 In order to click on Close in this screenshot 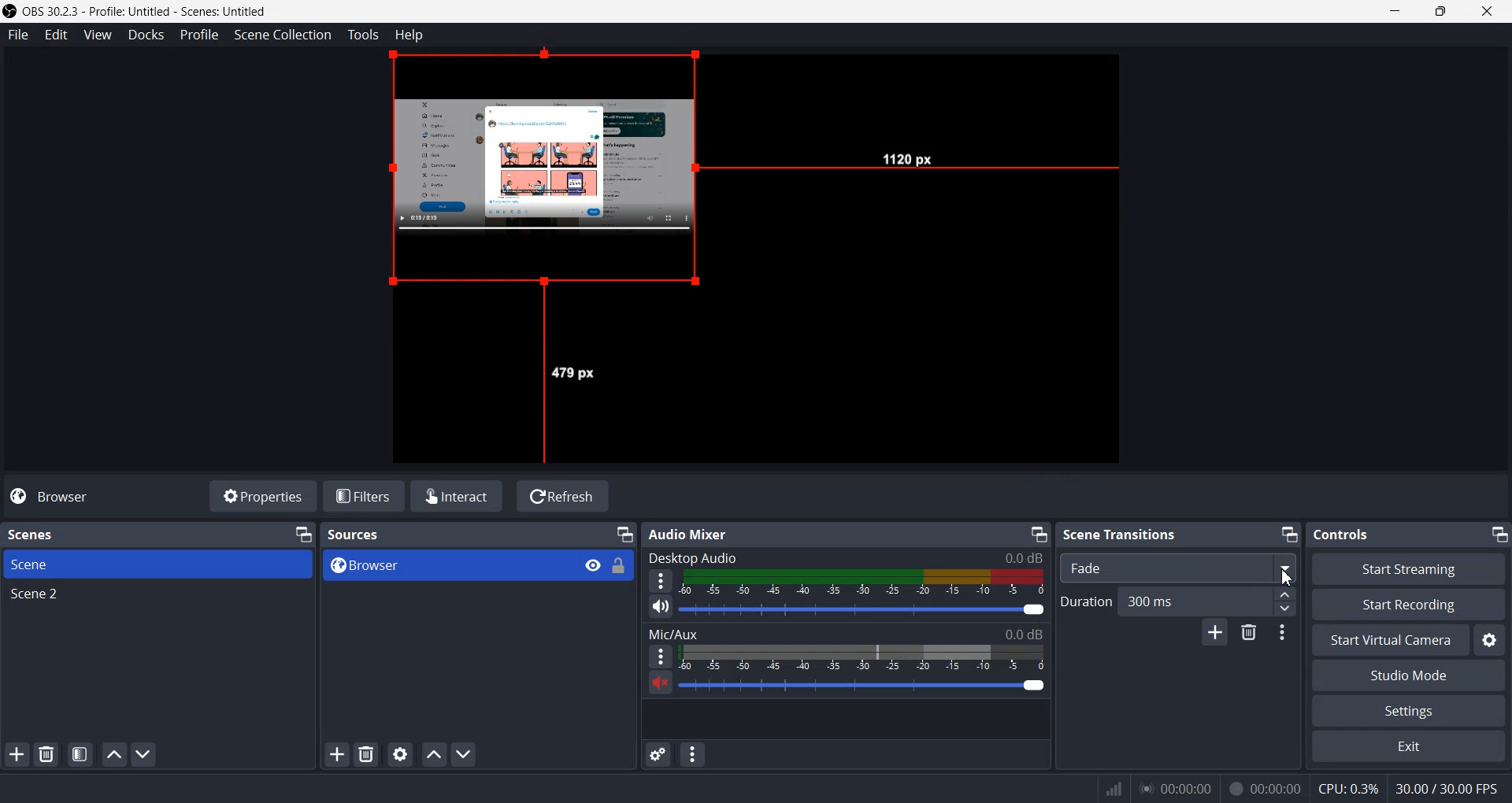, I will do `click(1485, 11)`.